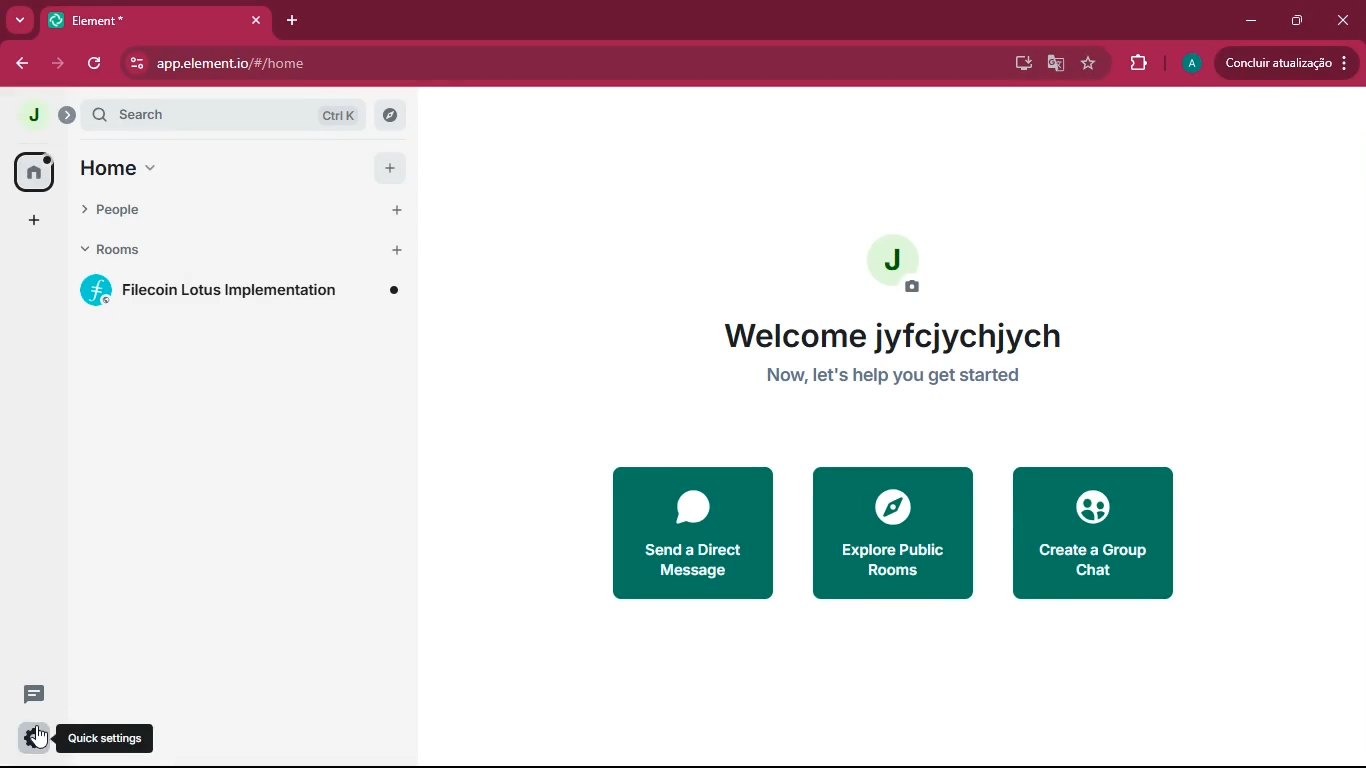 This screenshot has height=768, width=1366. I want to click on home, so click(31, 171).